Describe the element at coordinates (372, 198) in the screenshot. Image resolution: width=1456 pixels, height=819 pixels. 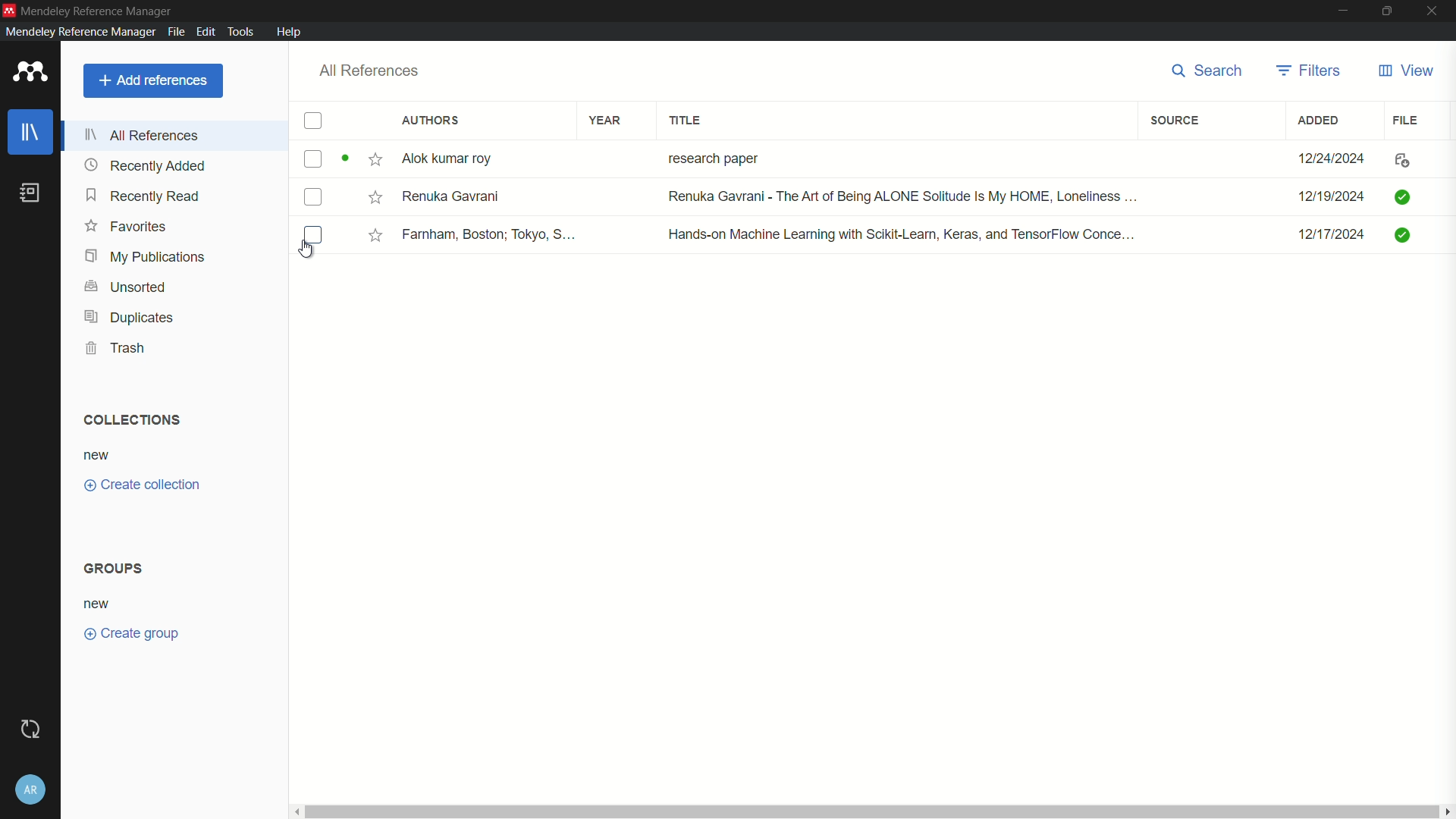
I see `Mark it star` at that location.